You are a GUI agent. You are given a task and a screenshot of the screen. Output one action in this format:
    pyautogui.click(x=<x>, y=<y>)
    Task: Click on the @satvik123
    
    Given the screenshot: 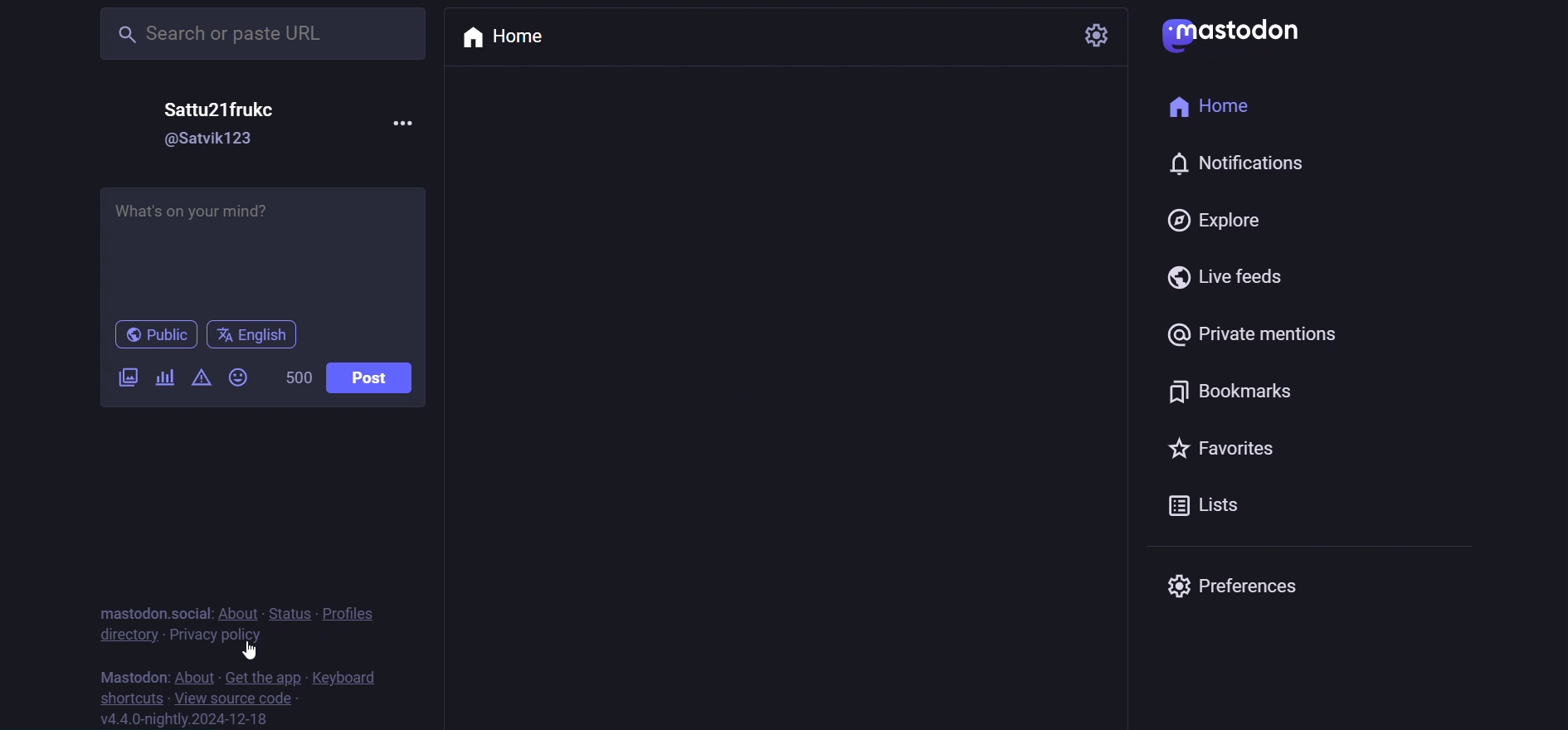 What is the action you would take?
    pyautogui.click(x=205, y=139)
    